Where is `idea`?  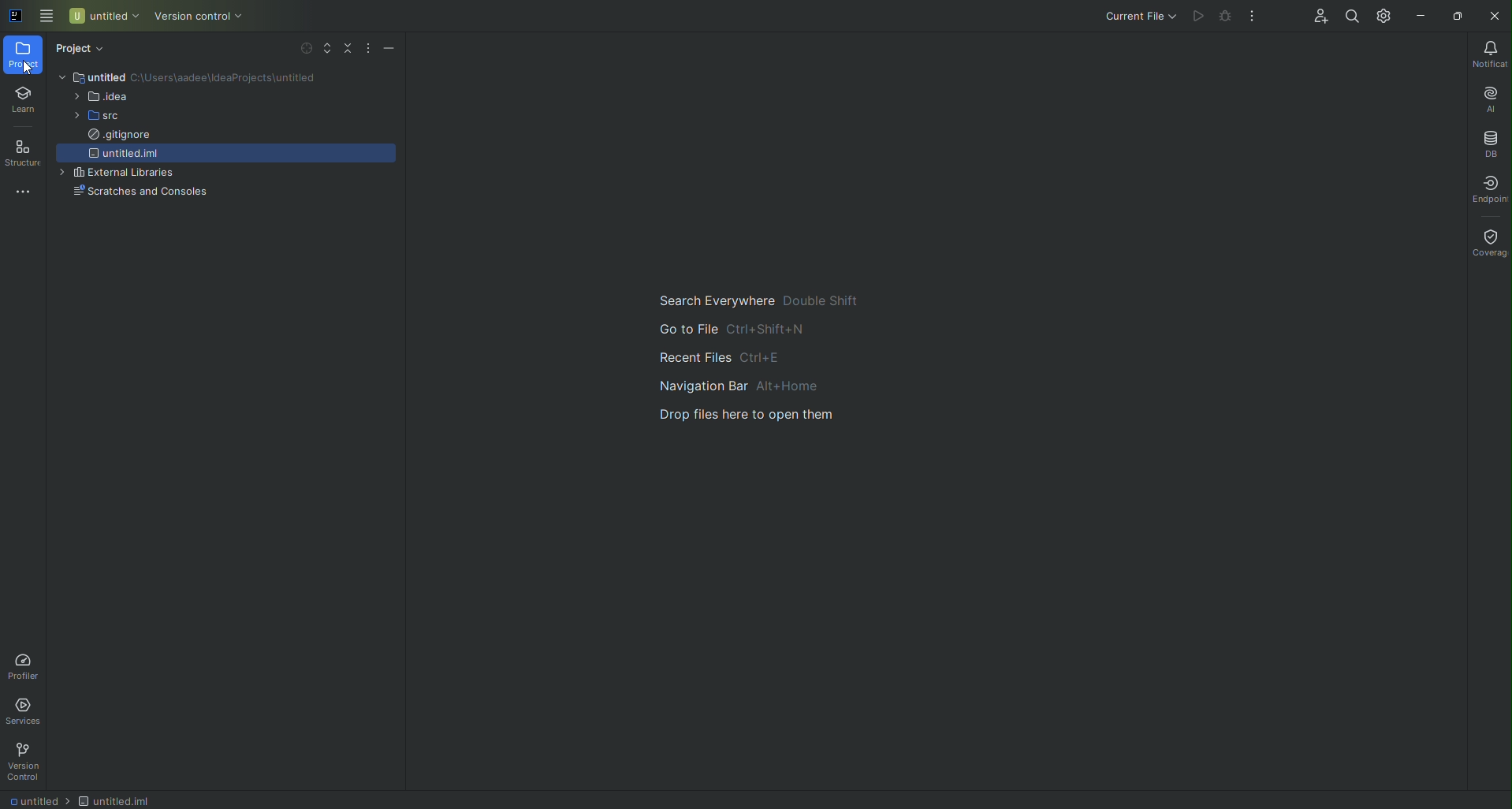 idea is located at coordinates (98, 101).